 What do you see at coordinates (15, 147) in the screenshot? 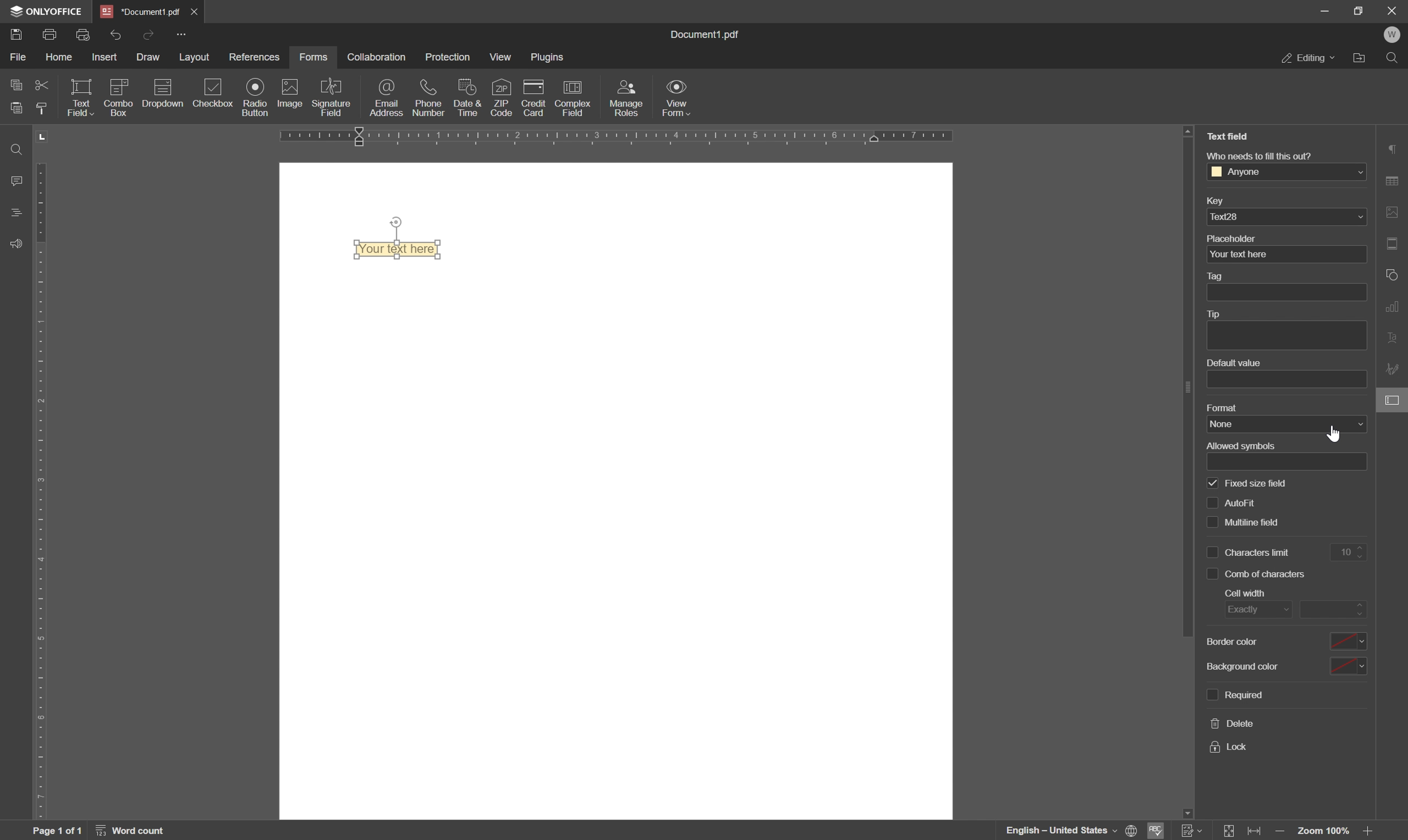
I see `find` at bounding box center [15, 147].